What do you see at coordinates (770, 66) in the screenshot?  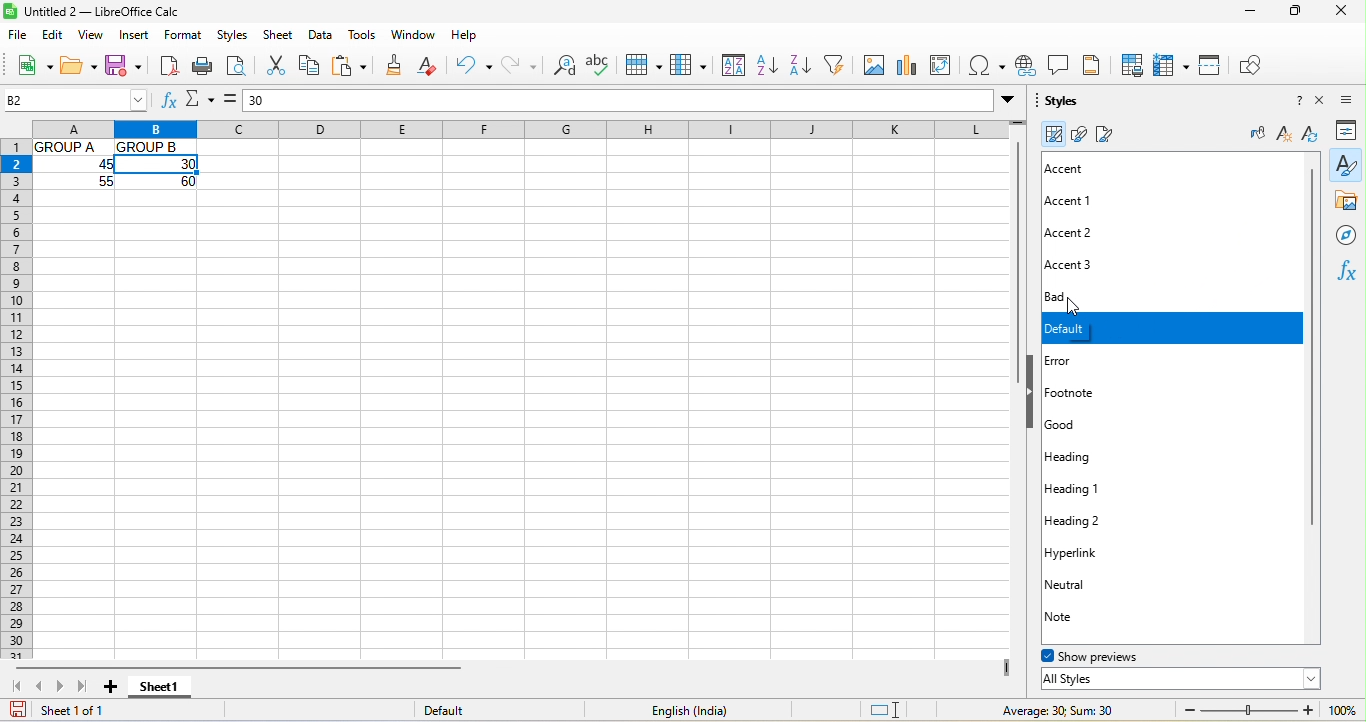 I see `sort ascending` at bounding box center [770, 66].